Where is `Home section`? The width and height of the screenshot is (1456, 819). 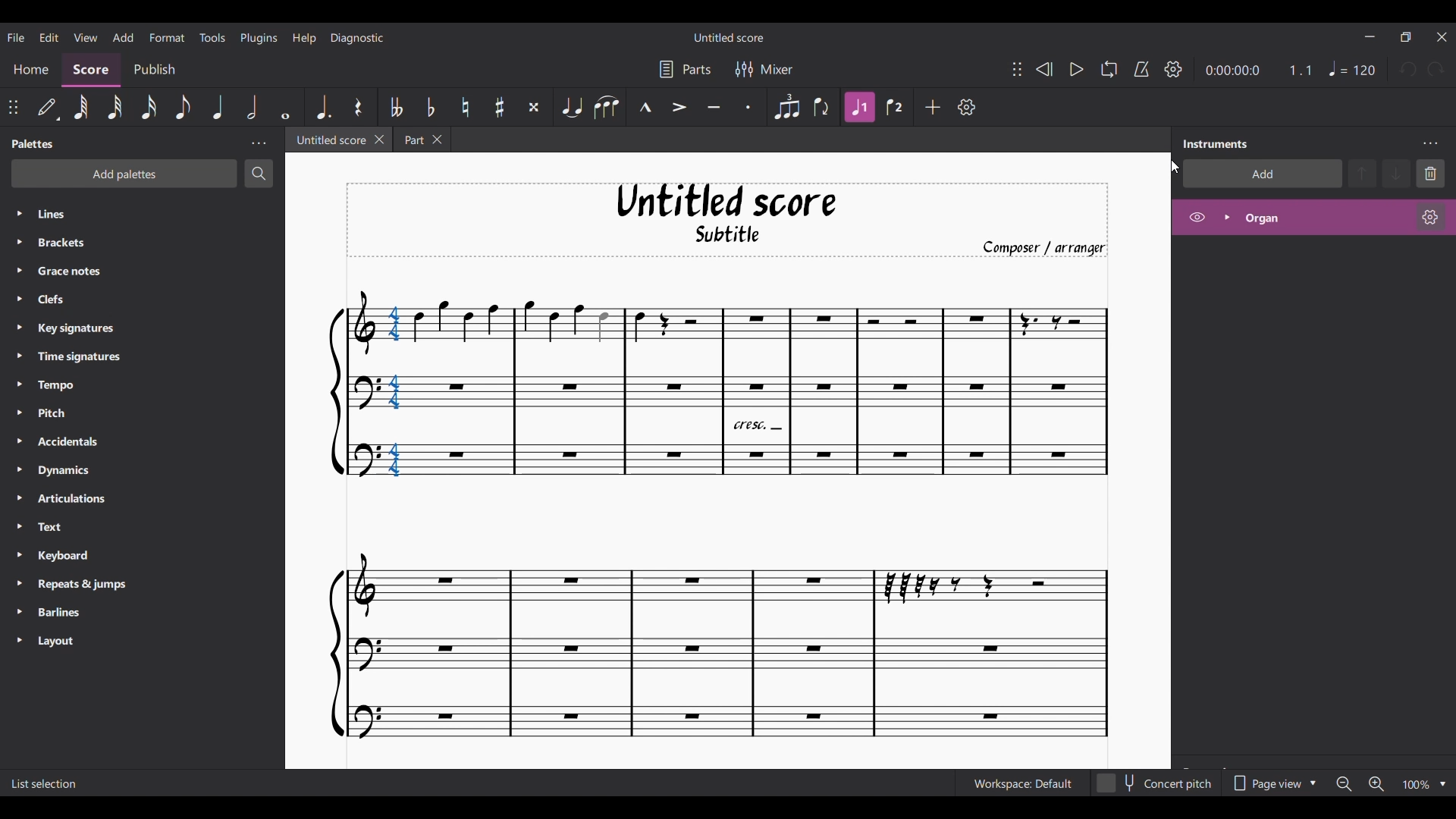
Home section is located at coordinates (30, 70).